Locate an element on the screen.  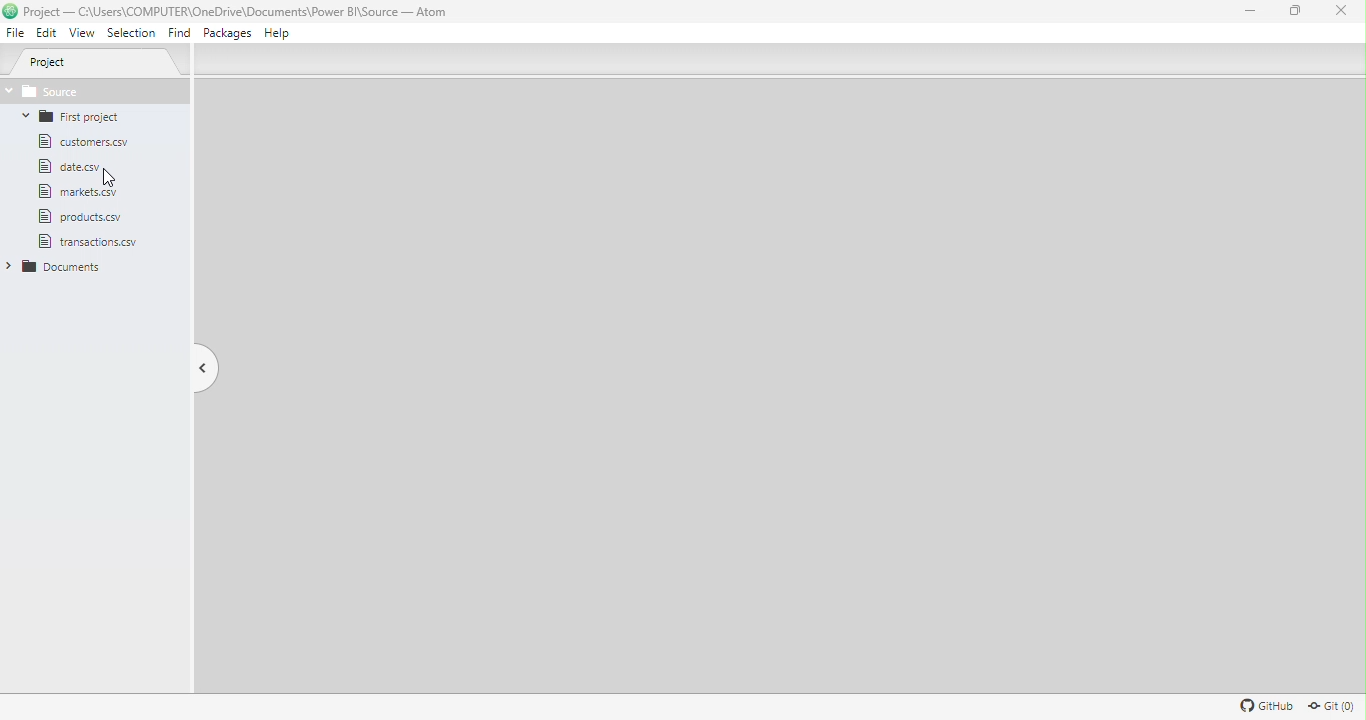
Find is located at coordinates (178, 34).